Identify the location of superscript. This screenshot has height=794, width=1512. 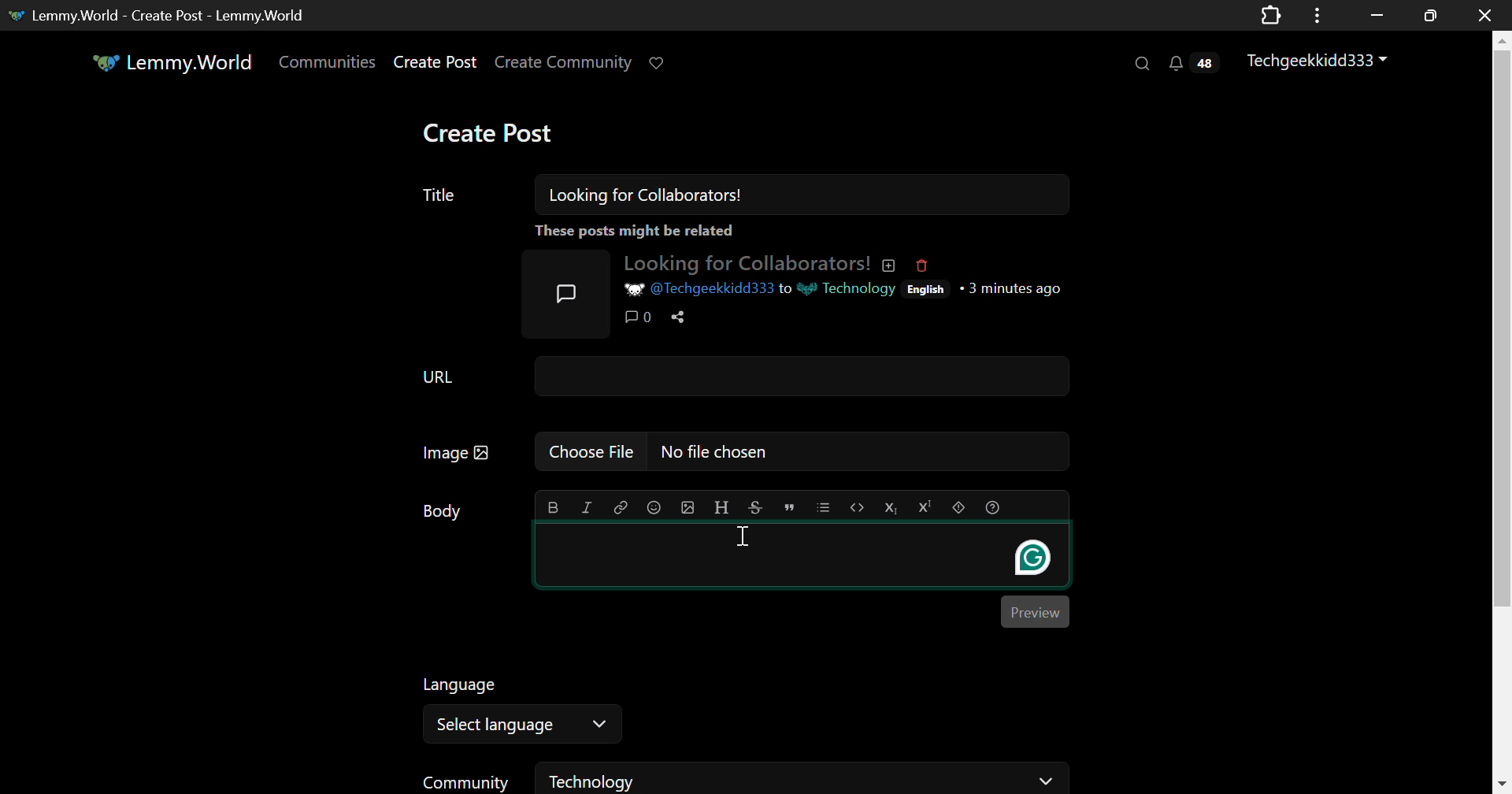
(925, 506).